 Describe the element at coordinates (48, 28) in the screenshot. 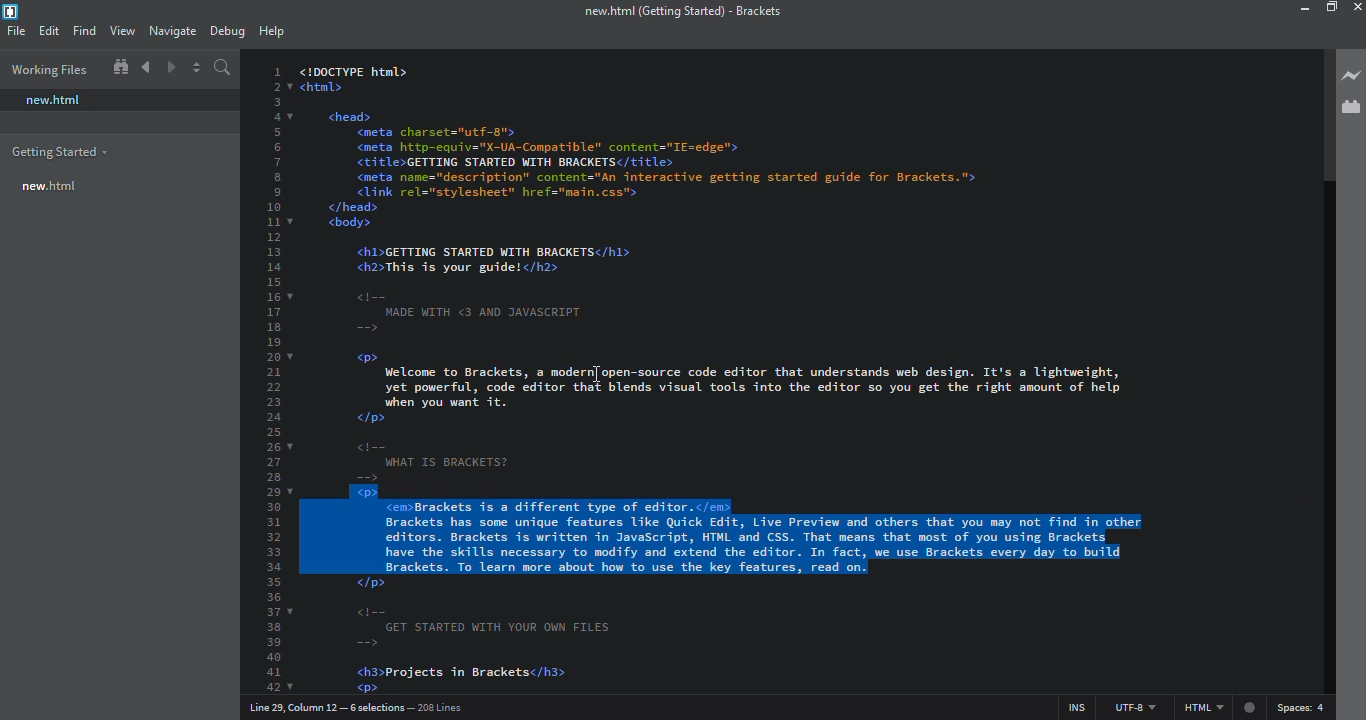

I see `edit` at that location.